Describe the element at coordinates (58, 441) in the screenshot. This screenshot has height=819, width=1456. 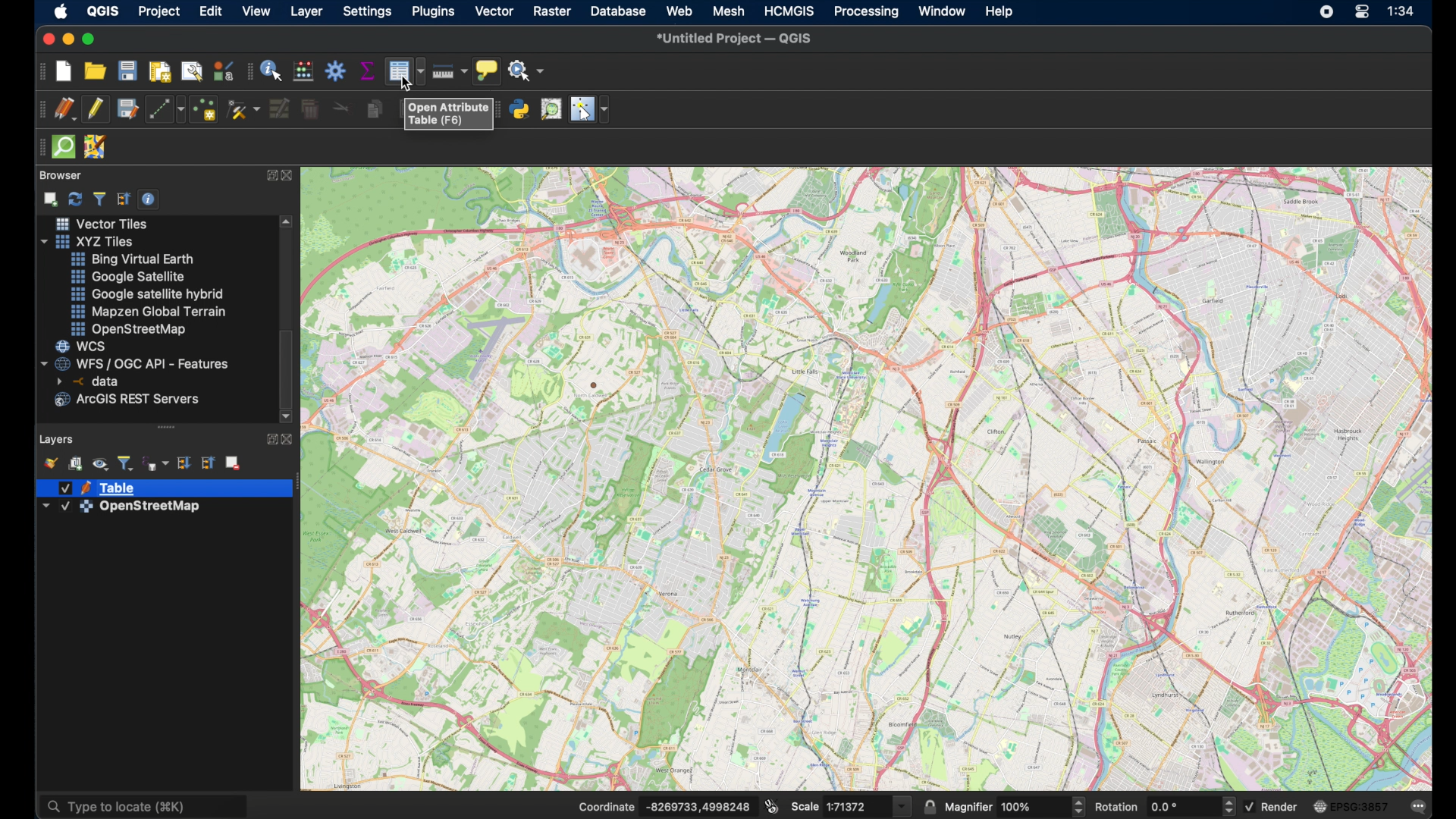
I see `layers` at that location.